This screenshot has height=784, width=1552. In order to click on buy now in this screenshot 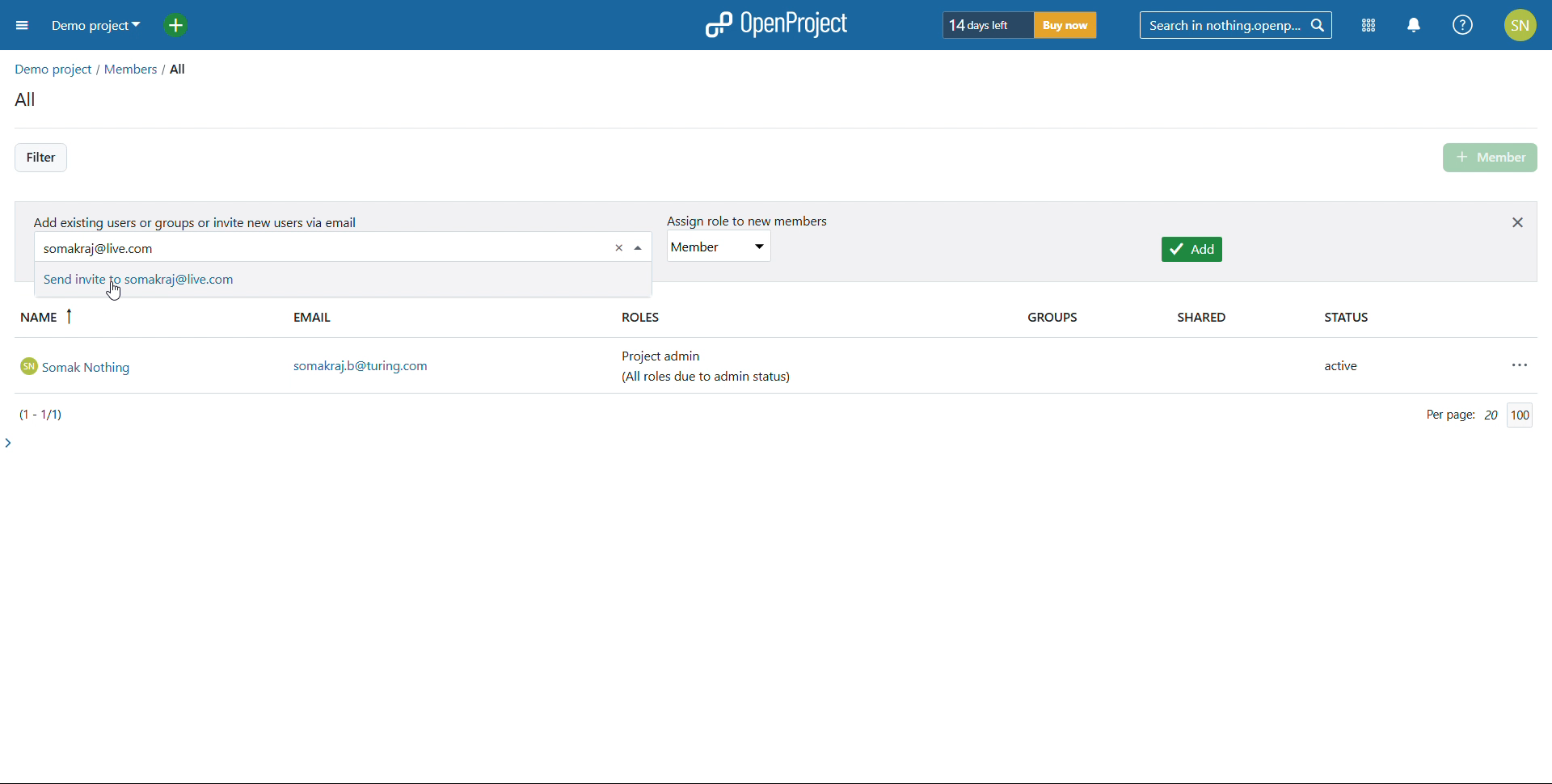, I will do `click(1066, 24)`.